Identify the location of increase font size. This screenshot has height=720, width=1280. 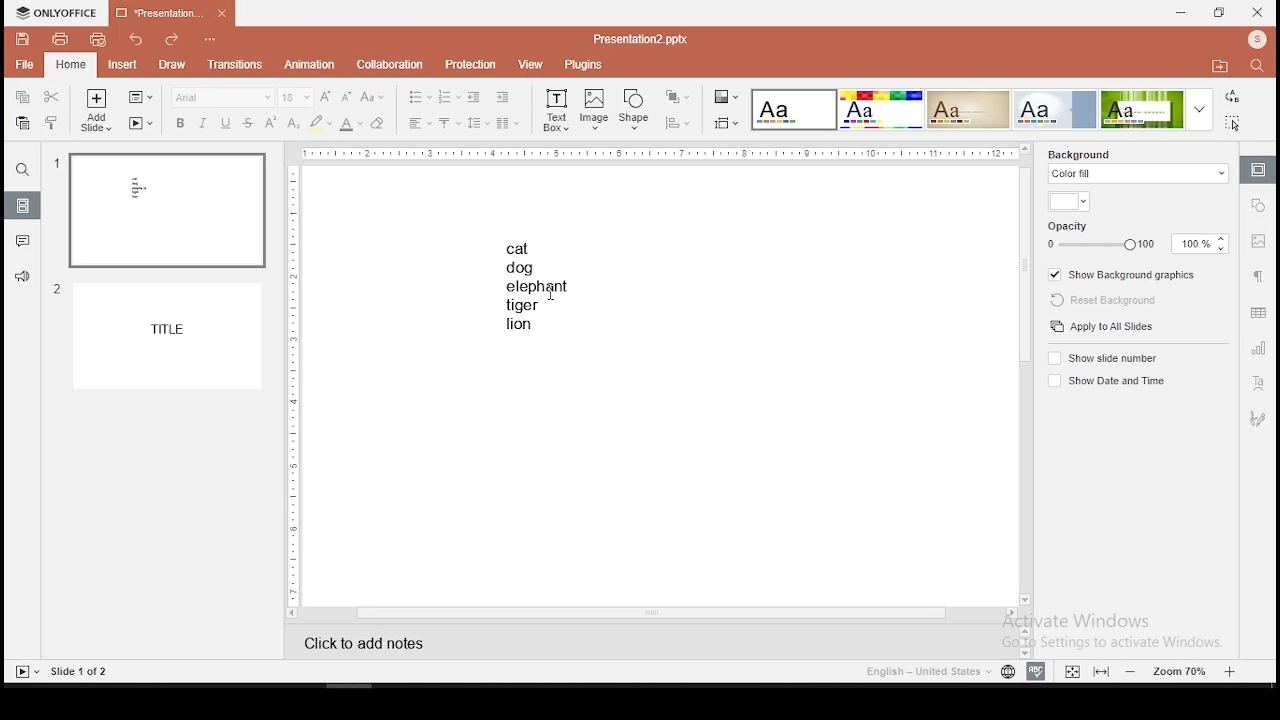
(328, 97).